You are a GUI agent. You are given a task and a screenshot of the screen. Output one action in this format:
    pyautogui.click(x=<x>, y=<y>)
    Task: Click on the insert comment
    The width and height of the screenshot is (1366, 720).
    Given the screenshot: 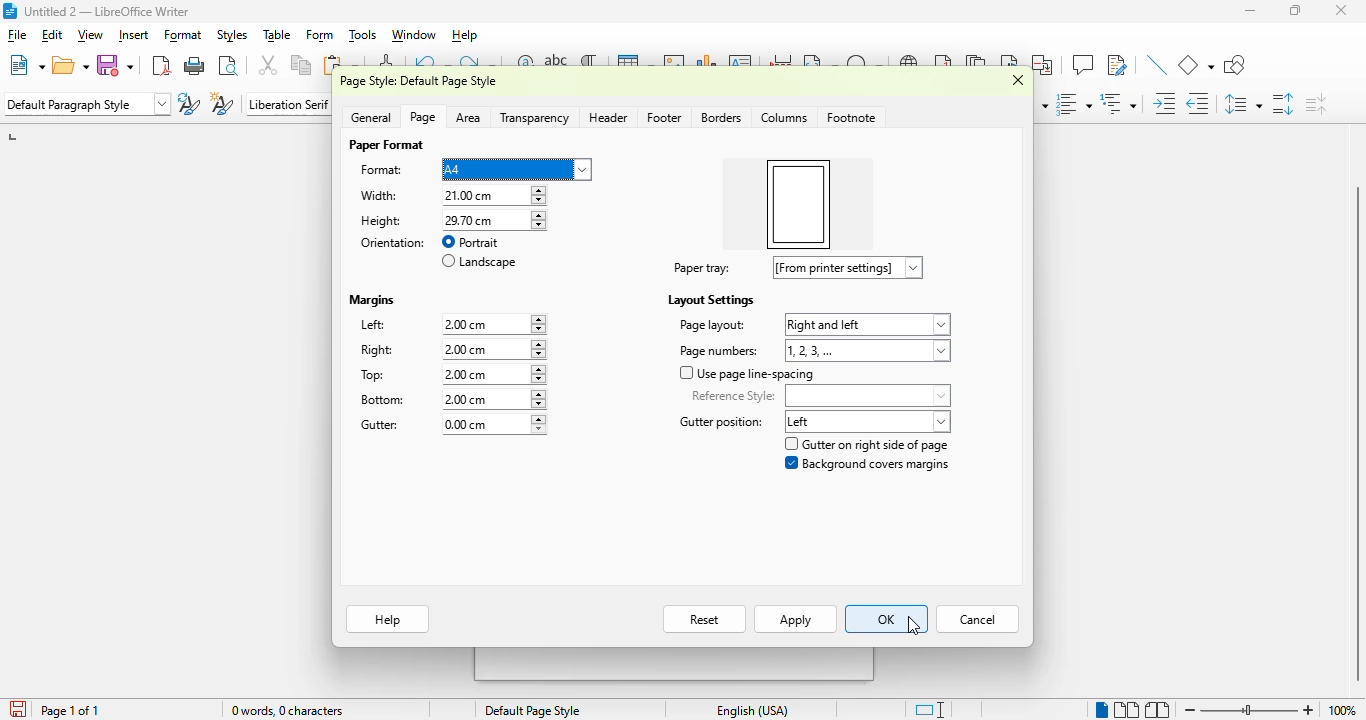 What is the action you would take?
    pyautogui.click(x=1083, y=64)
    